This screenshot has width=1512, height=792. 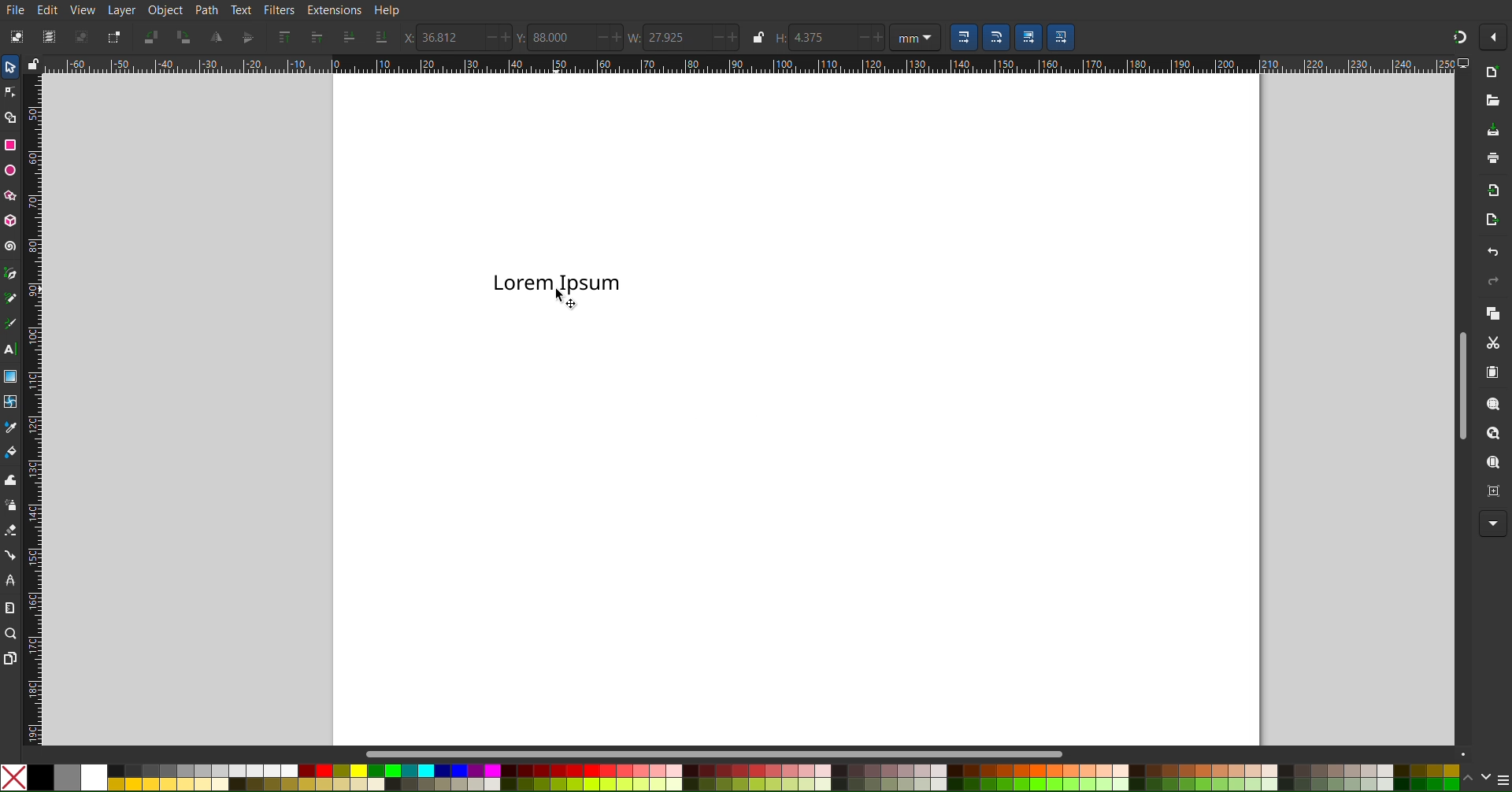 I want to click on lock, so click(x=33, y=62).